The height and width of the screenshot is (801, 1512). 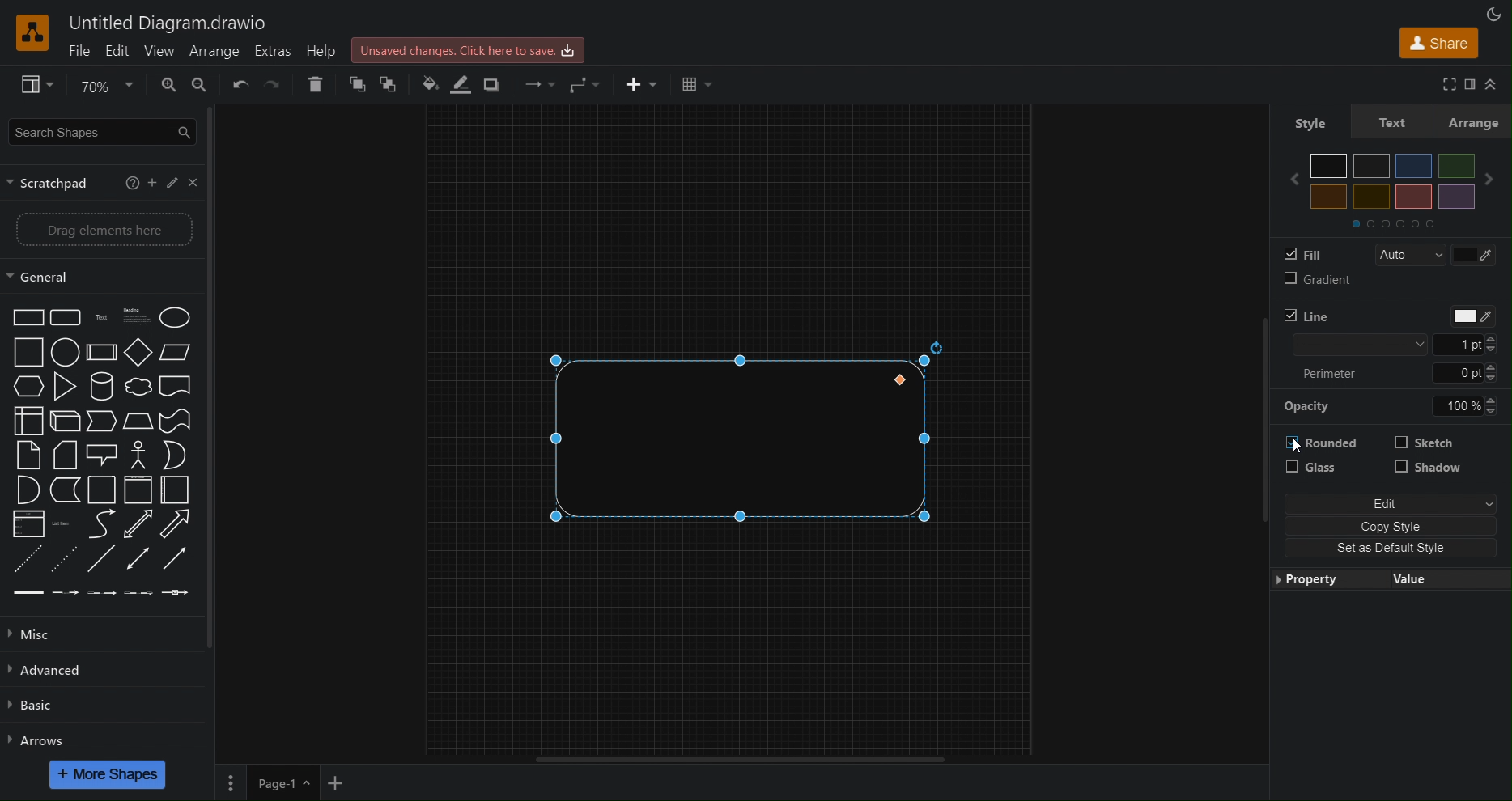 I want to click on Scrollbar, so click(x=748, y=759).